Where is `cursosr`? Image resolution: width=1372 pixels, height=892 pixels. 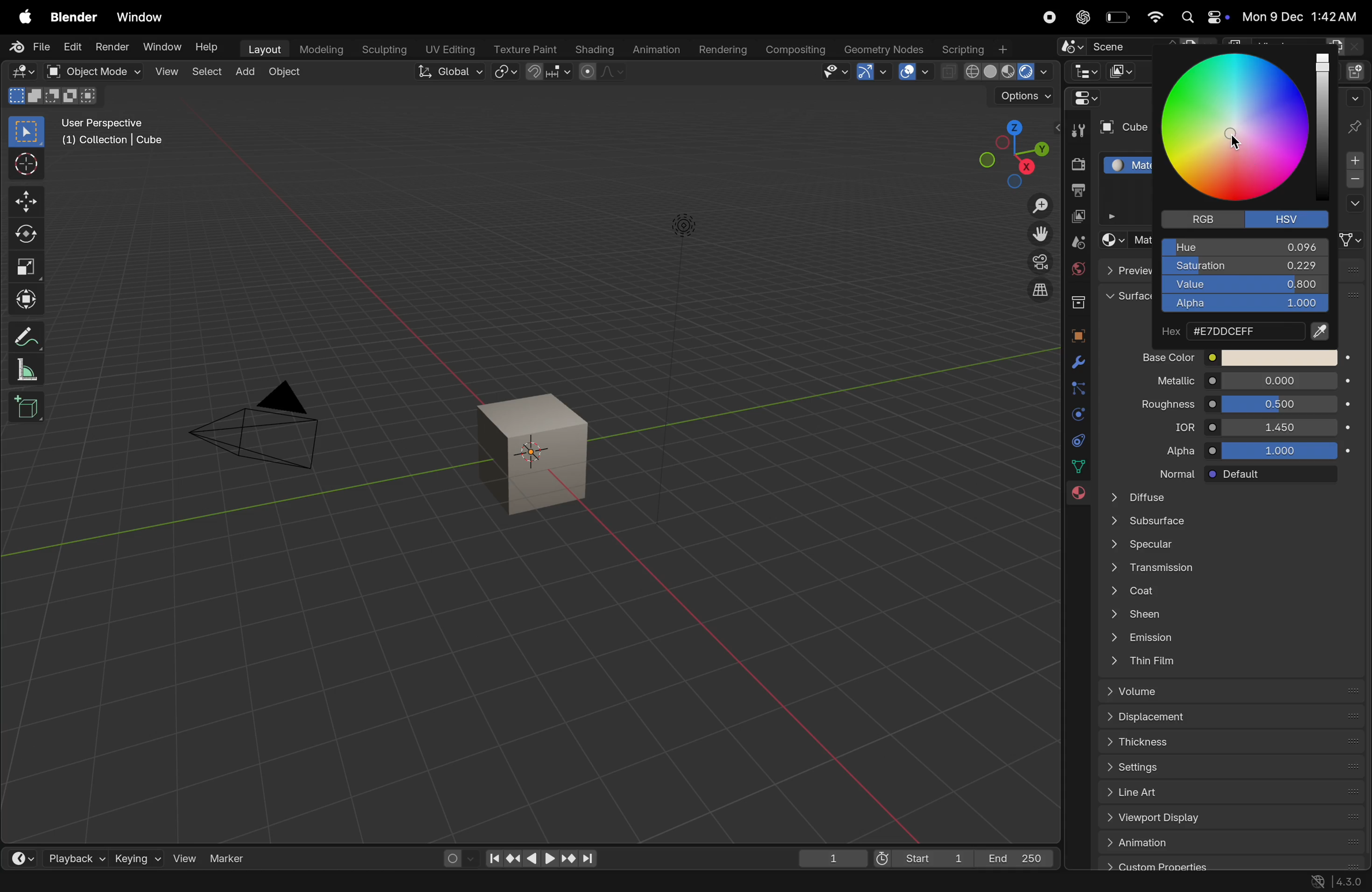
cursosr is located at coordinates (22, 165).